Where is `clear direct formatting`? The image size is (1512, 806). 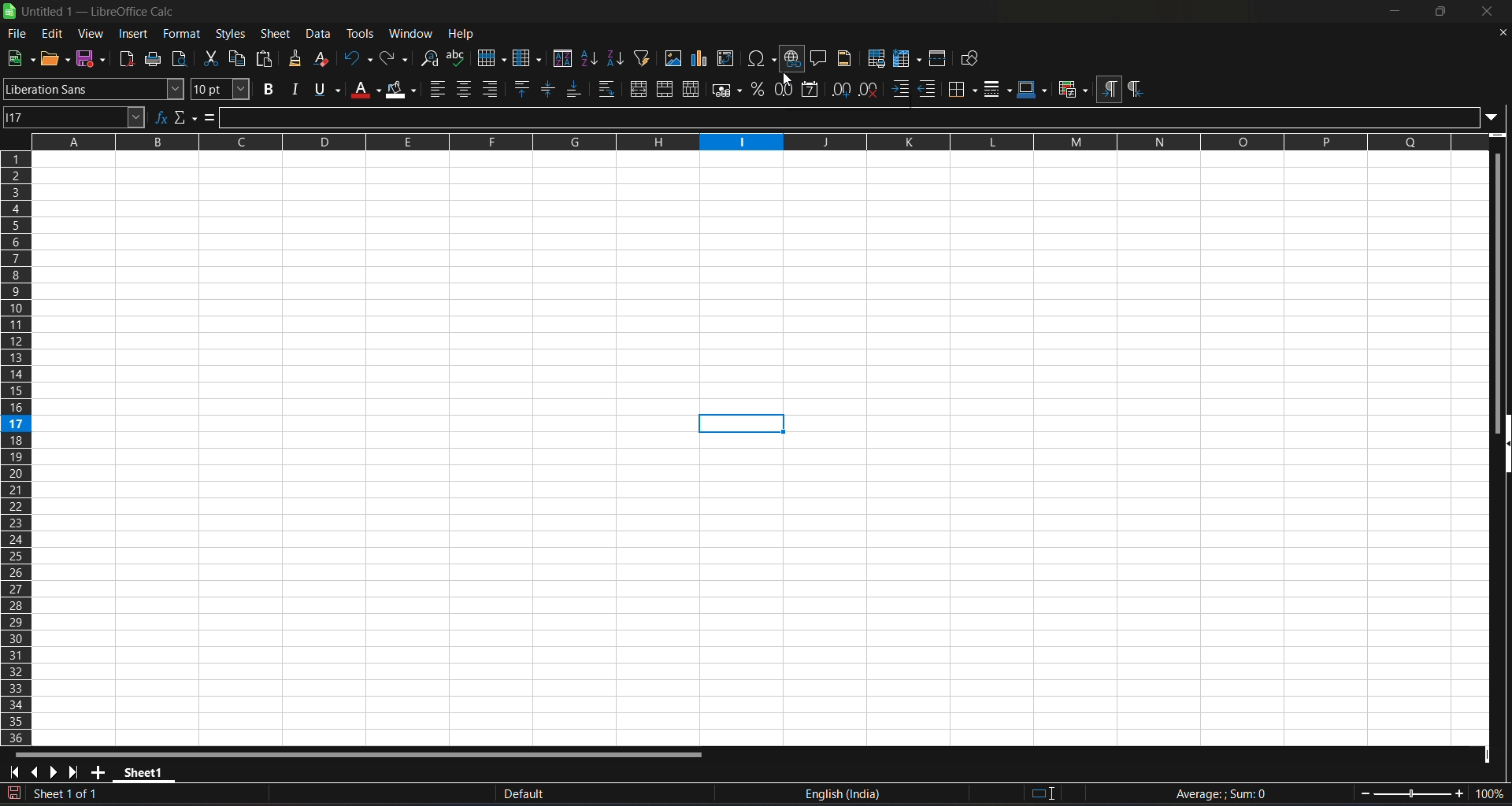 clear direct formatting is located at coordinates (324, 60).